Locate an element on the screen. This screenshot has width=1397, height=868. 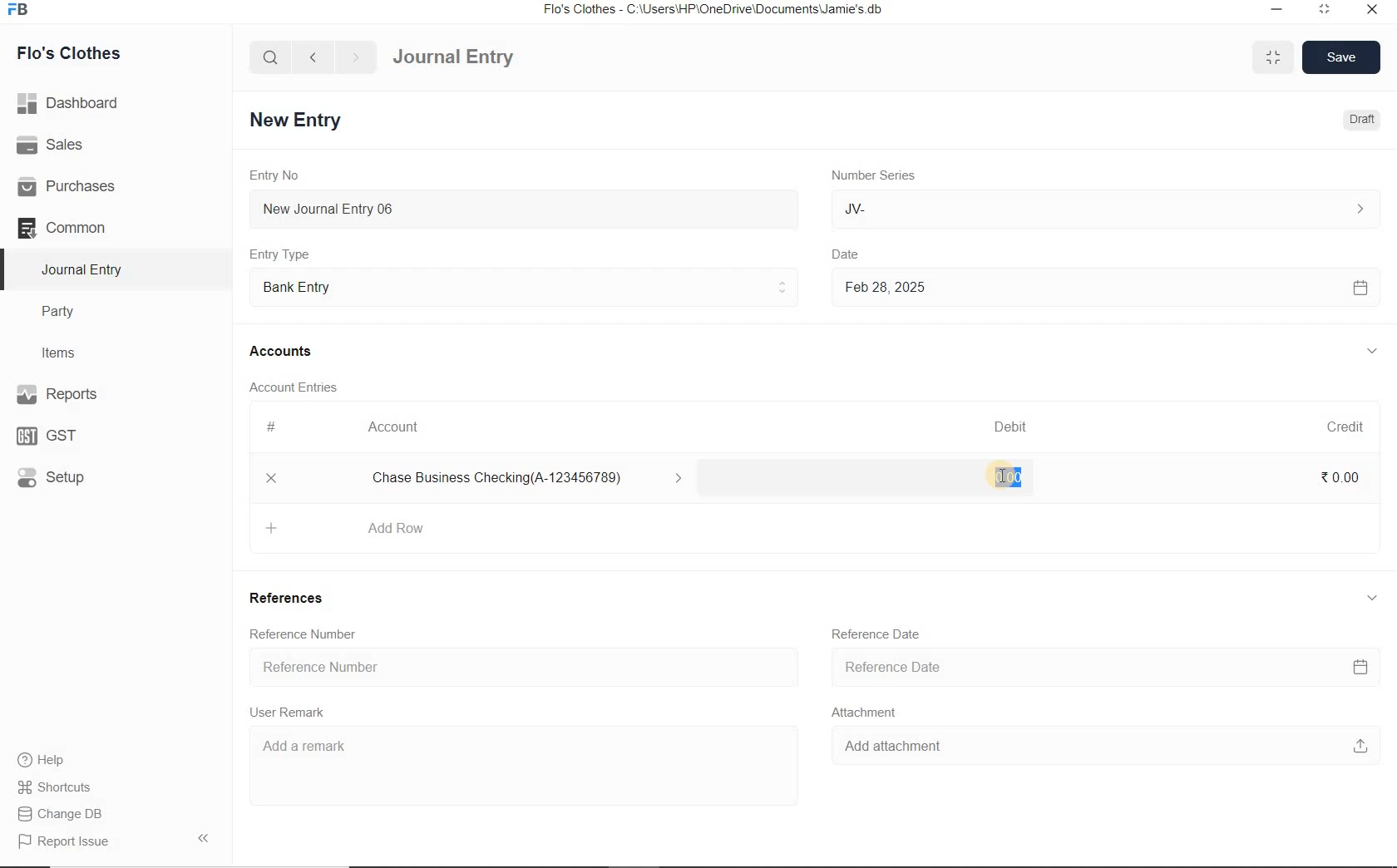
Entry Type is located at coordinates (525, 285).